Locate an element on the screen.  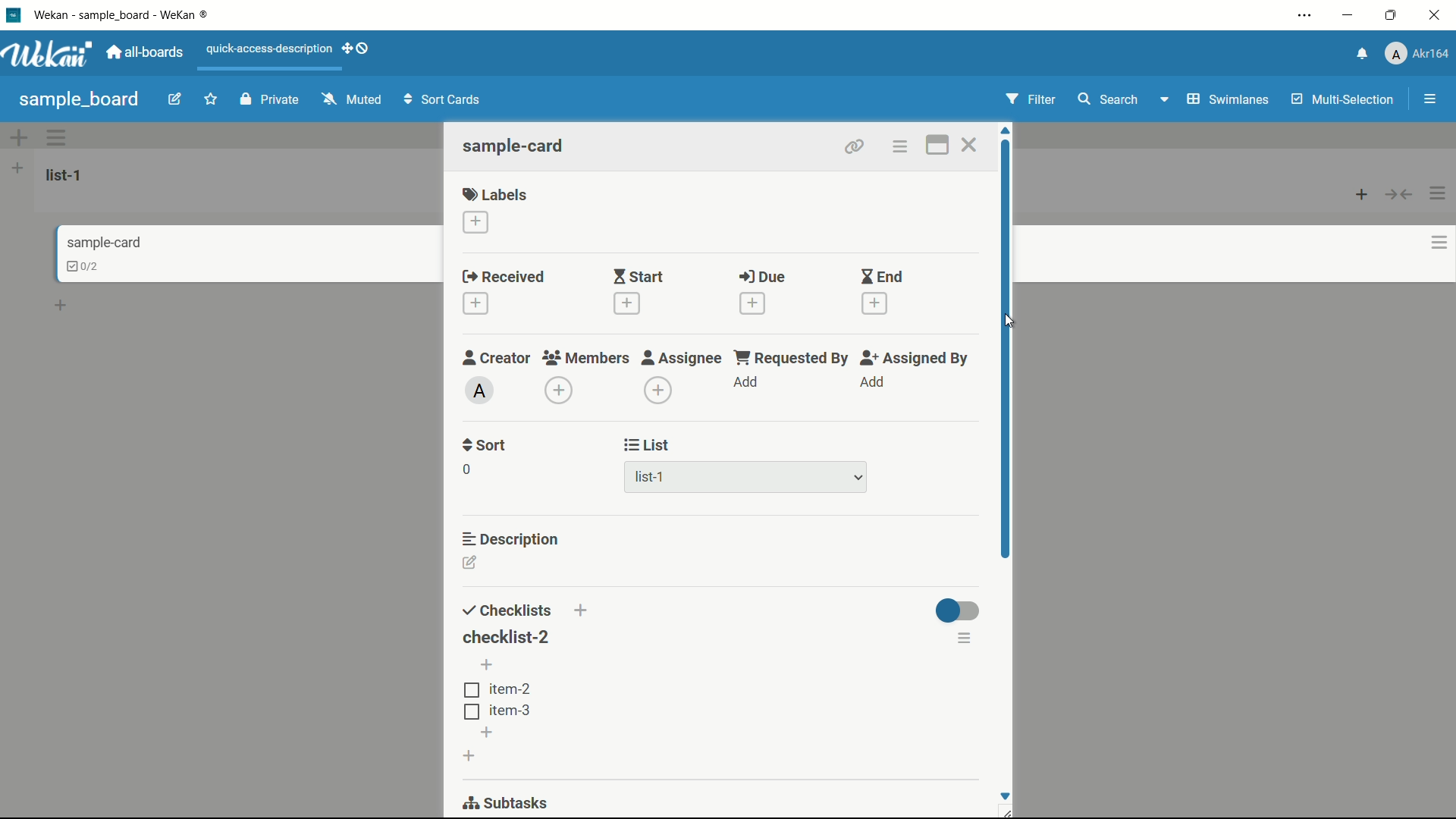
add is located at coordinates (872, 383).